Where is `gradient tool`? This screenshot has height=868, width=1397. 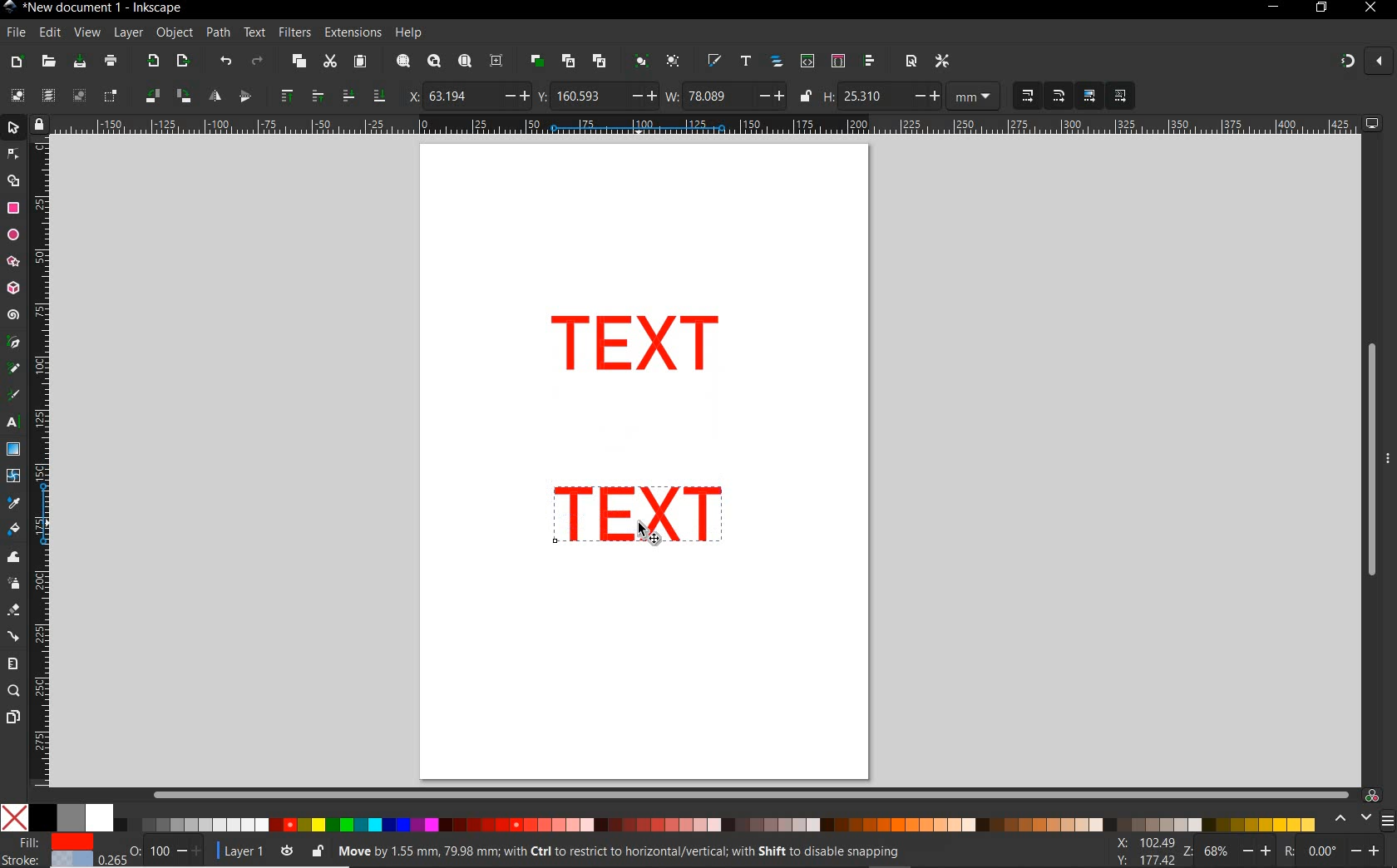 gradient tool is located at coordinates (13, 450).